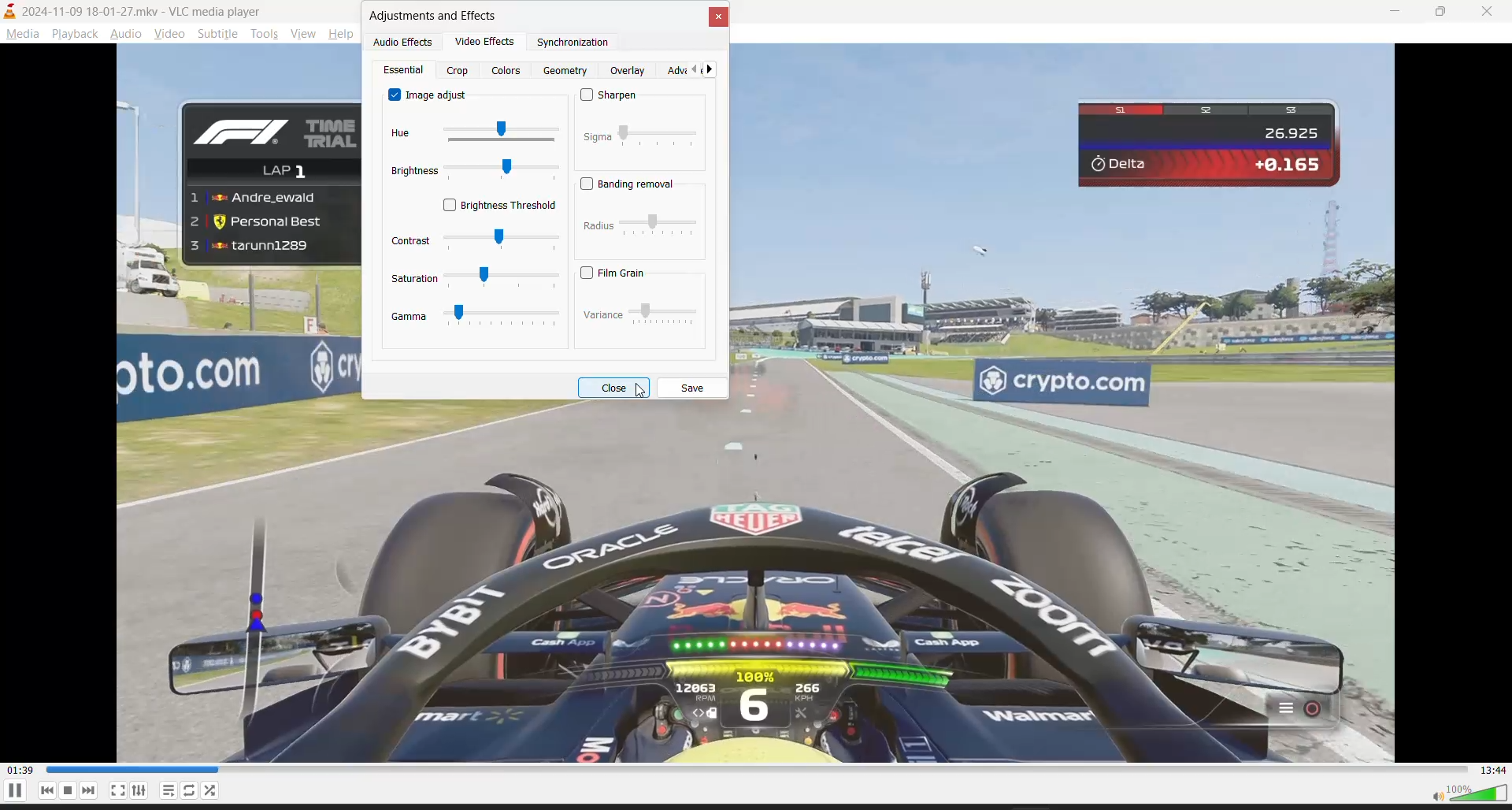 Image resolution: width=1512 pixels, height=810 pixels. Describe the element at coordinates (76, 34) in the screenshot. I see `playback` at that location.